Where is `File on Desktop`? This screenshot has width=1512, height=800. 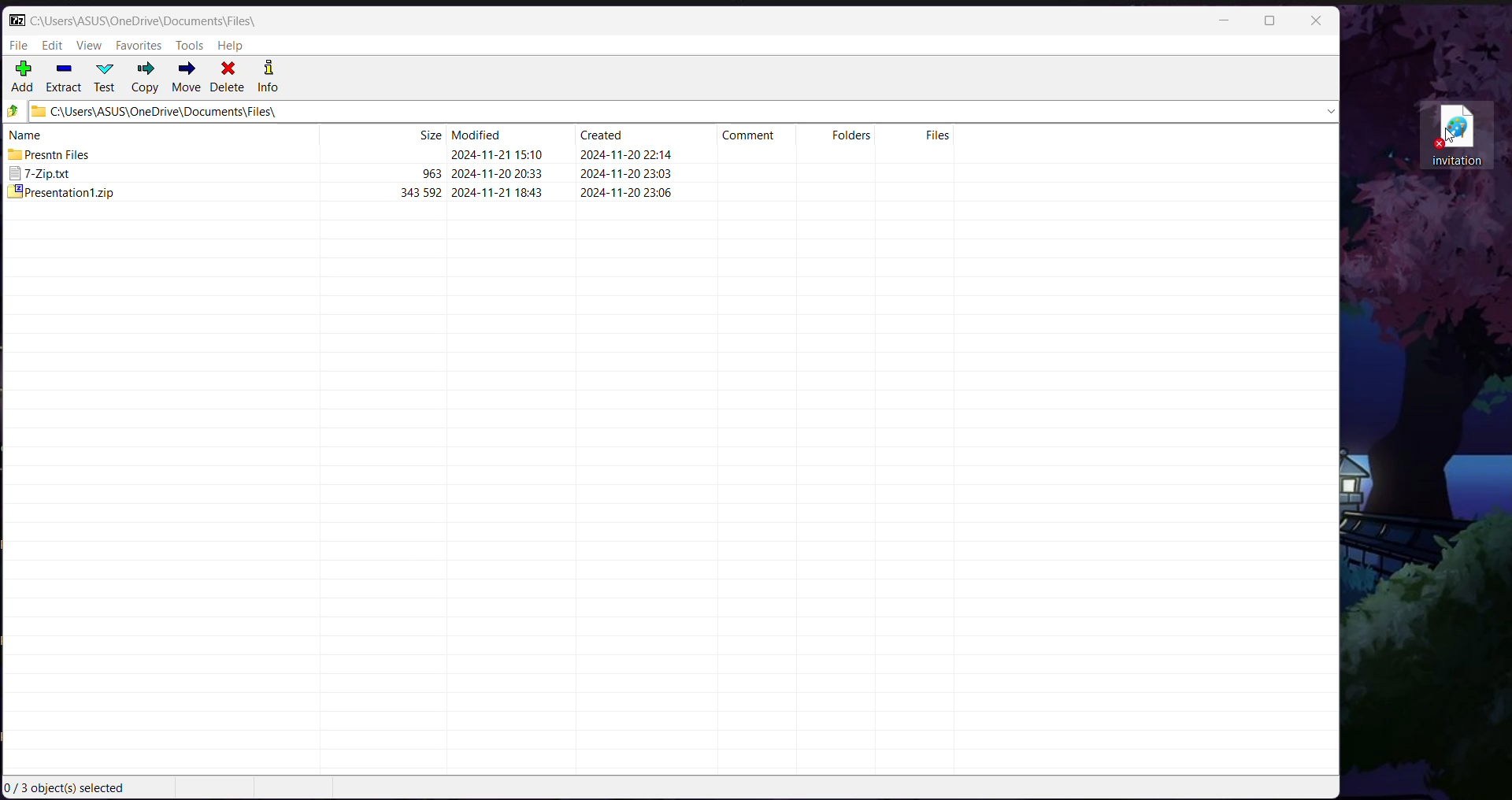 File on Desktop is located at coordinates (1454, 135).